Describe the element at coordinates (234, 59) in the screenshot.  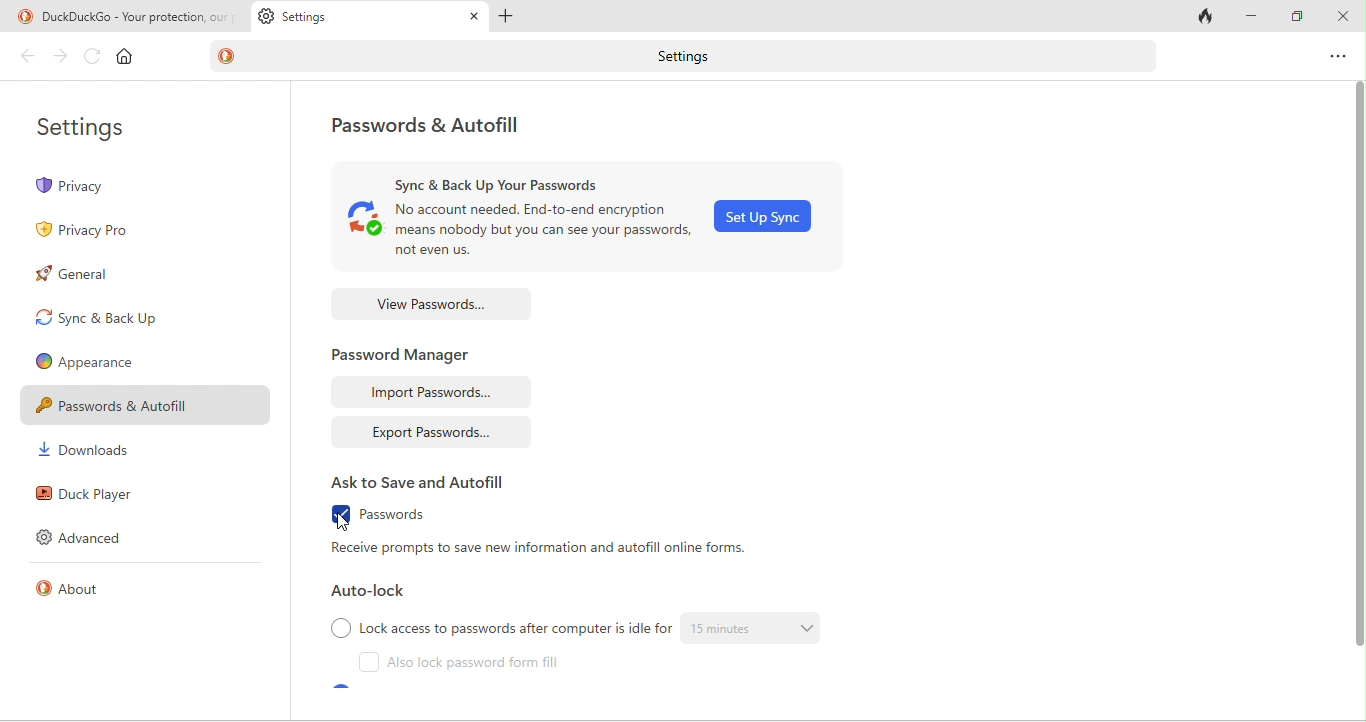
I see `duckduck go logo` at that location.